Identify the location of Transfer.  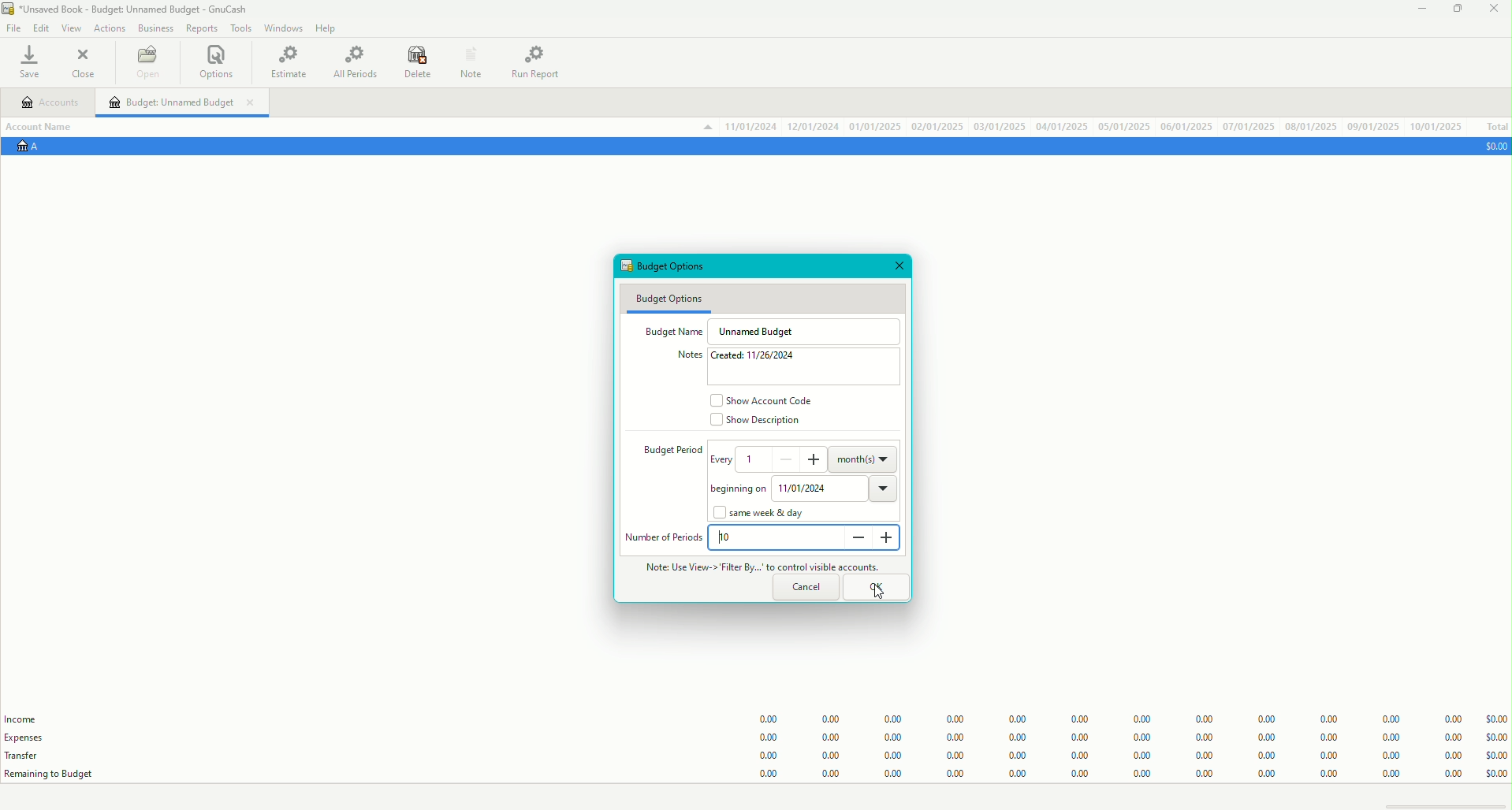
(31, 755).